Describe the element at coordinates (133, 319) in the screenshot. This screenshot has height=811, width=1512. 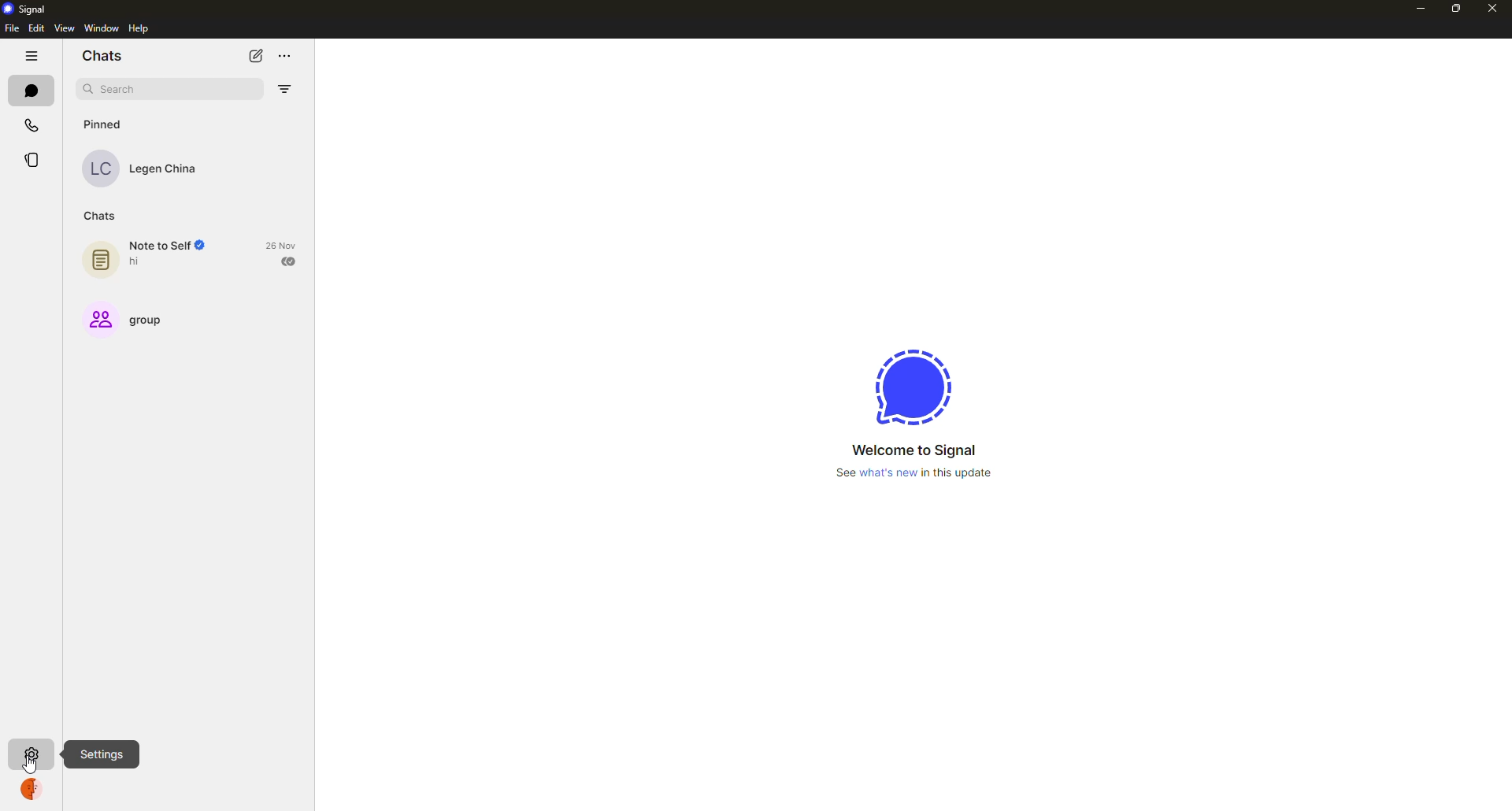
I see `group` at that location.